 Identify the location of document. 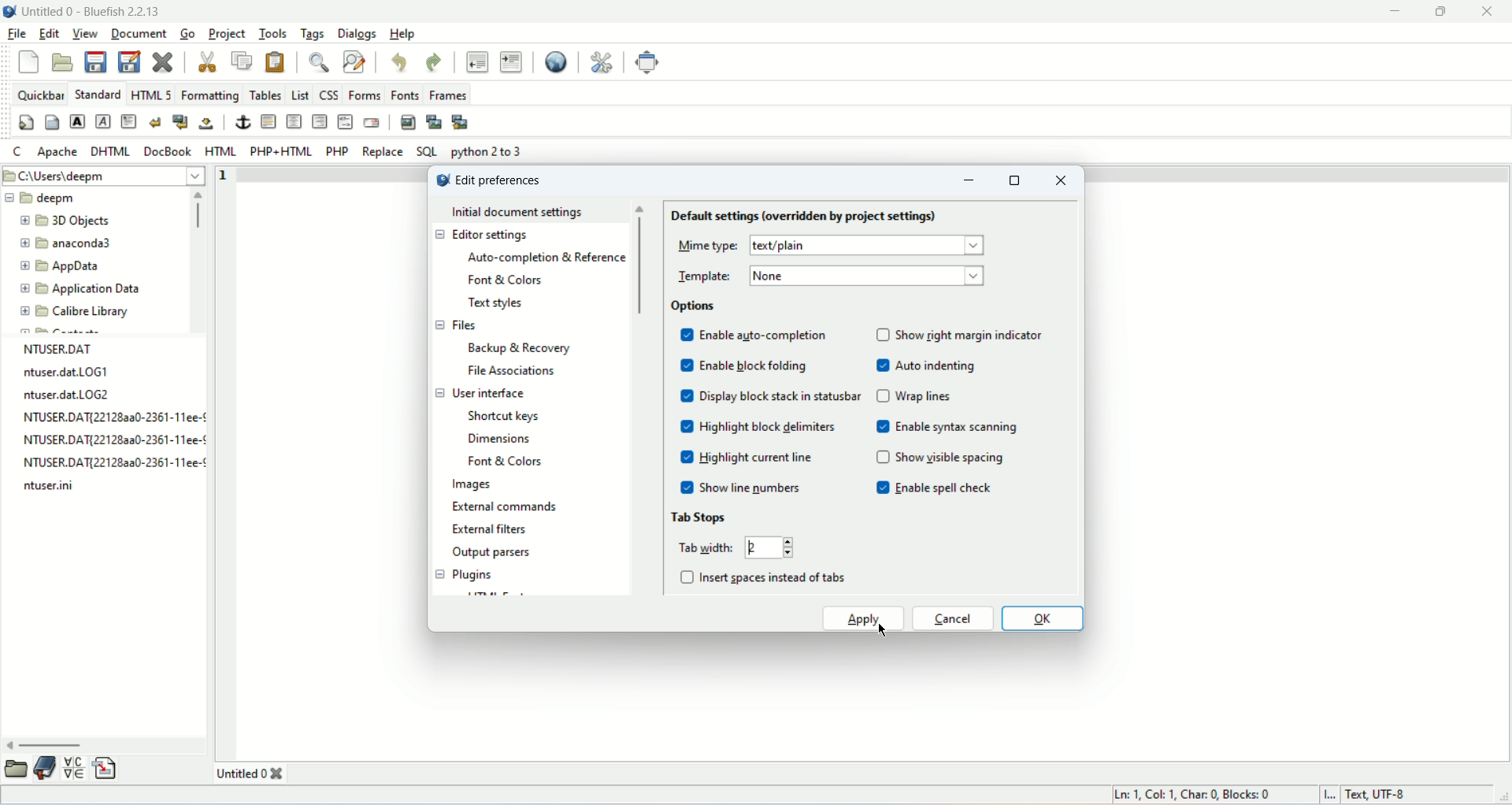
(139, 32).